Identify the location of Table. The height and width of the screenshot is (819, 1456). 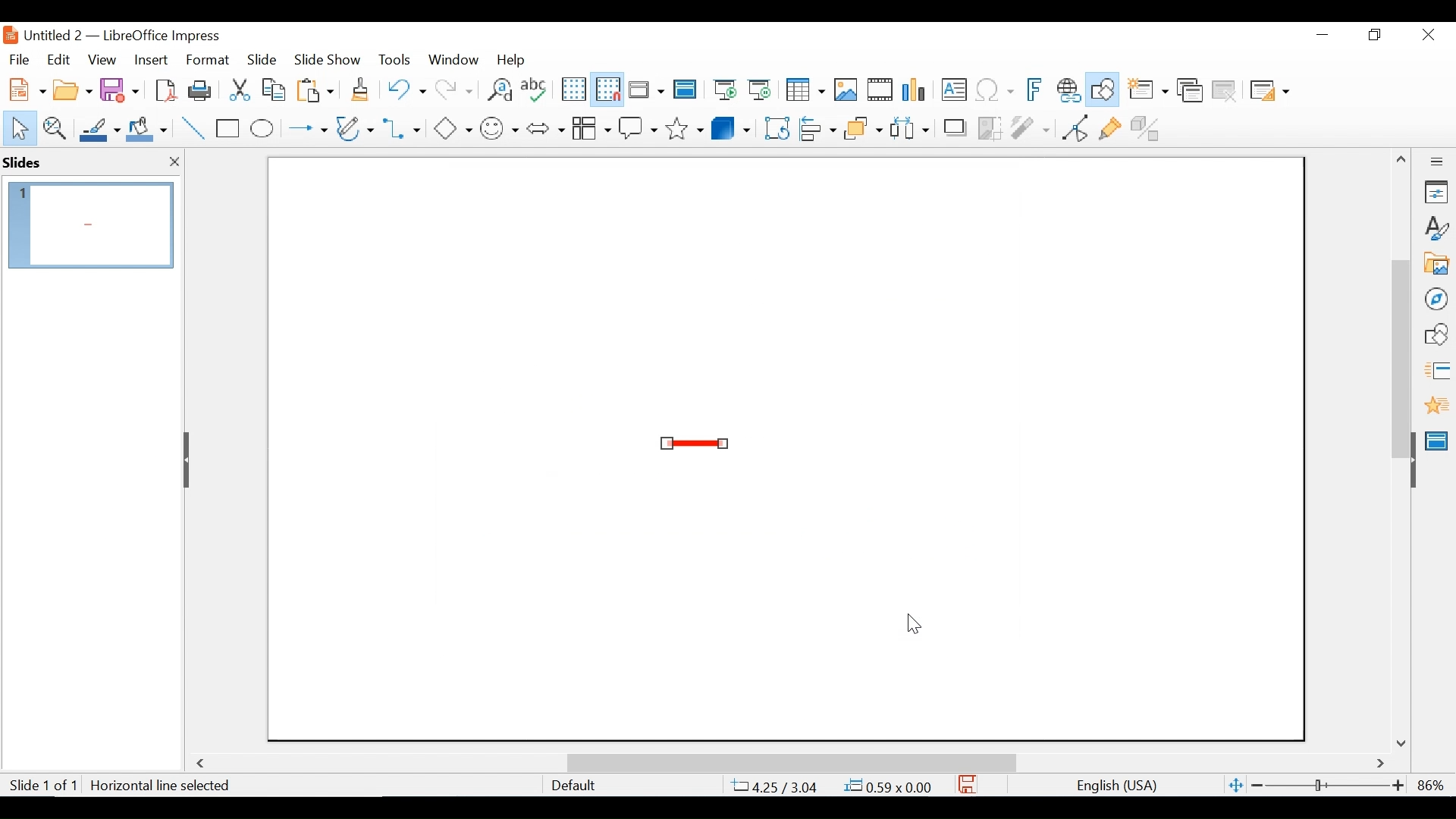
(804, 90).